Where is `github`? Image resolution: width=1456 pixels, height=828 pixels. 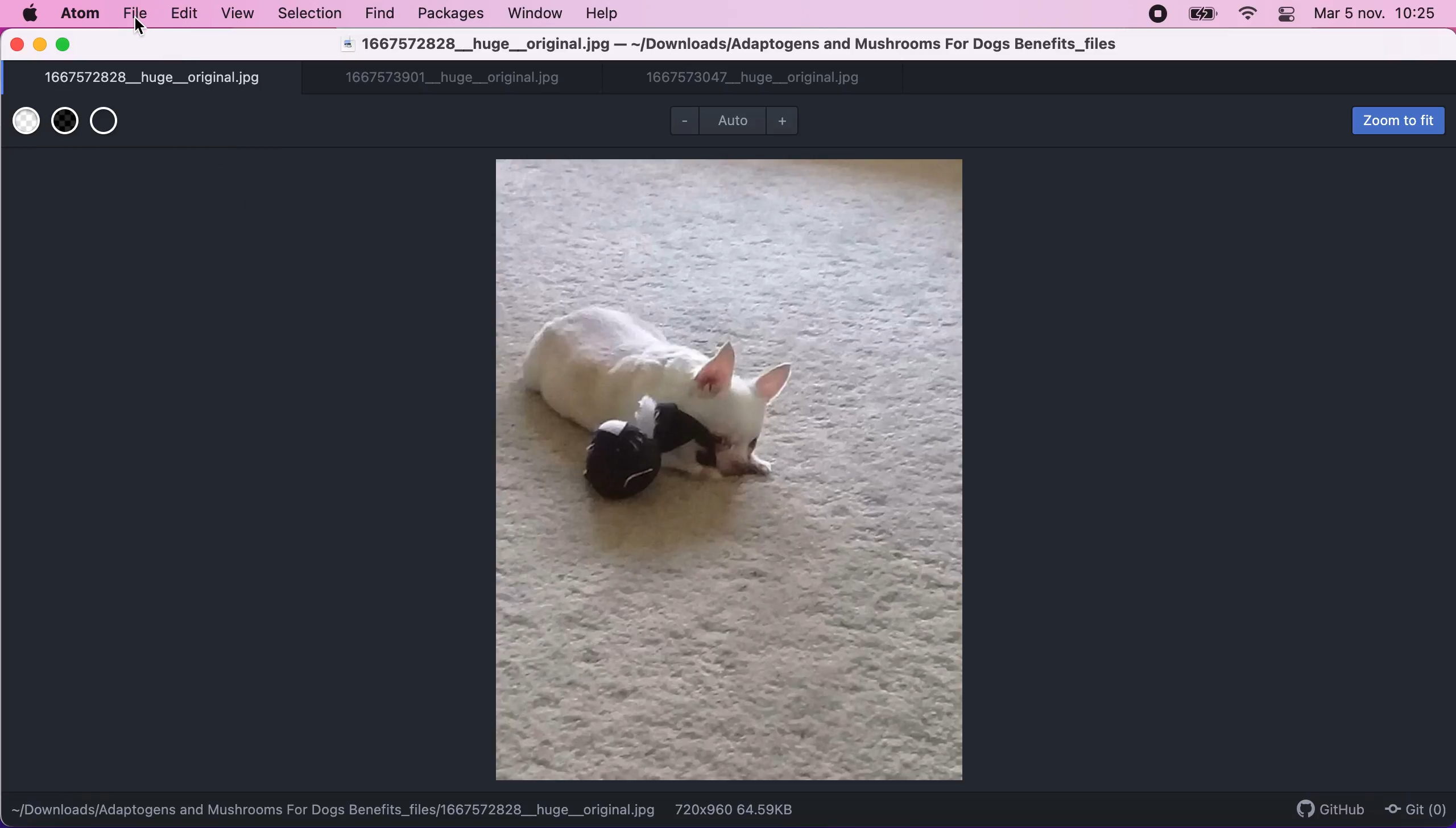
github is located at coordinates (1317, 807).